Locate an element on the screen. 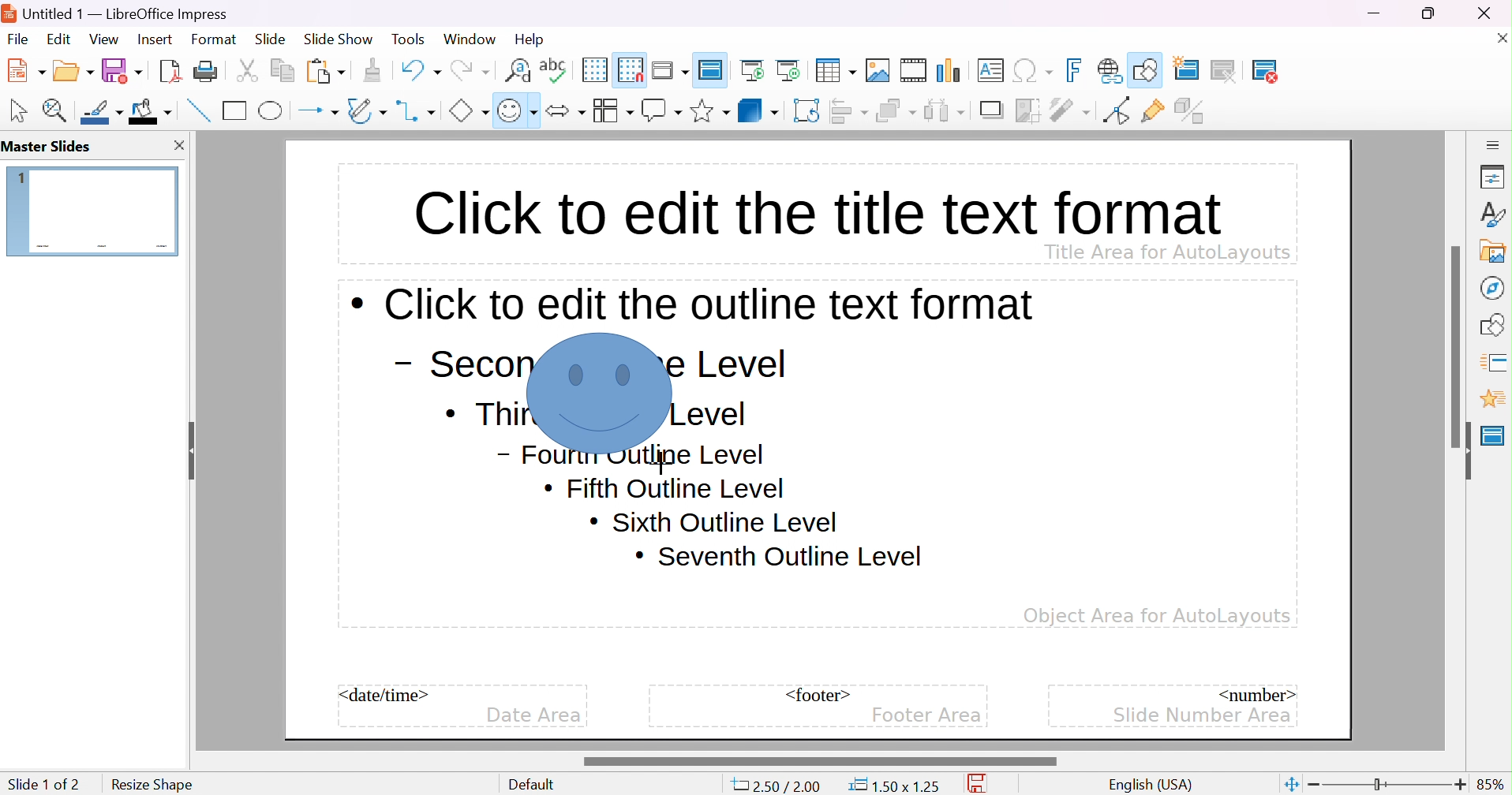 This screenshot has width=1512, height=795. untitled 1 - LibreOffice Impress is located at coordinates (120, 12).